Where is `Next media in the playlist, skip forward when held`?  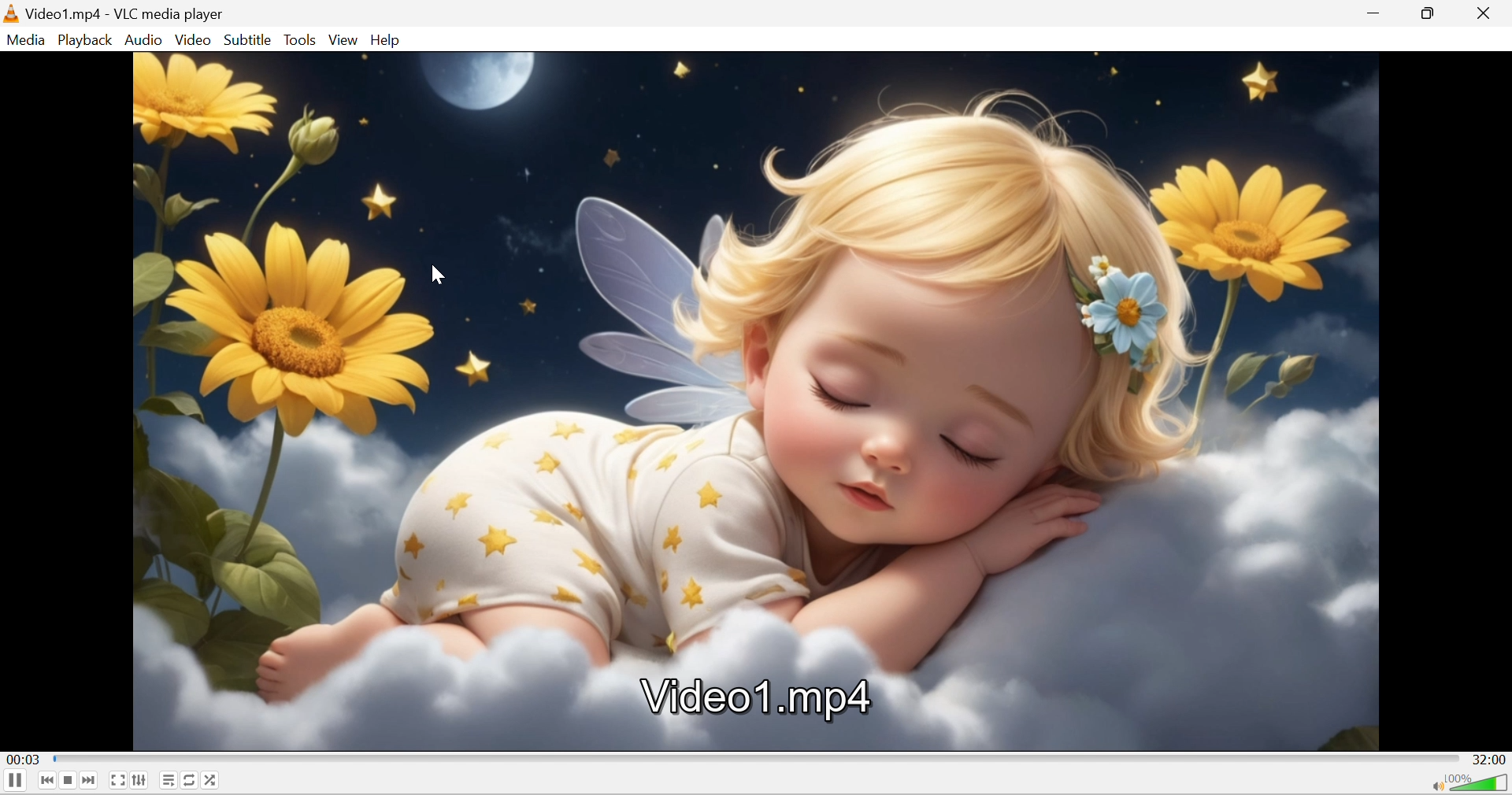 Next media in the playlist, skip forward when held is located at coordinates (90, 779).